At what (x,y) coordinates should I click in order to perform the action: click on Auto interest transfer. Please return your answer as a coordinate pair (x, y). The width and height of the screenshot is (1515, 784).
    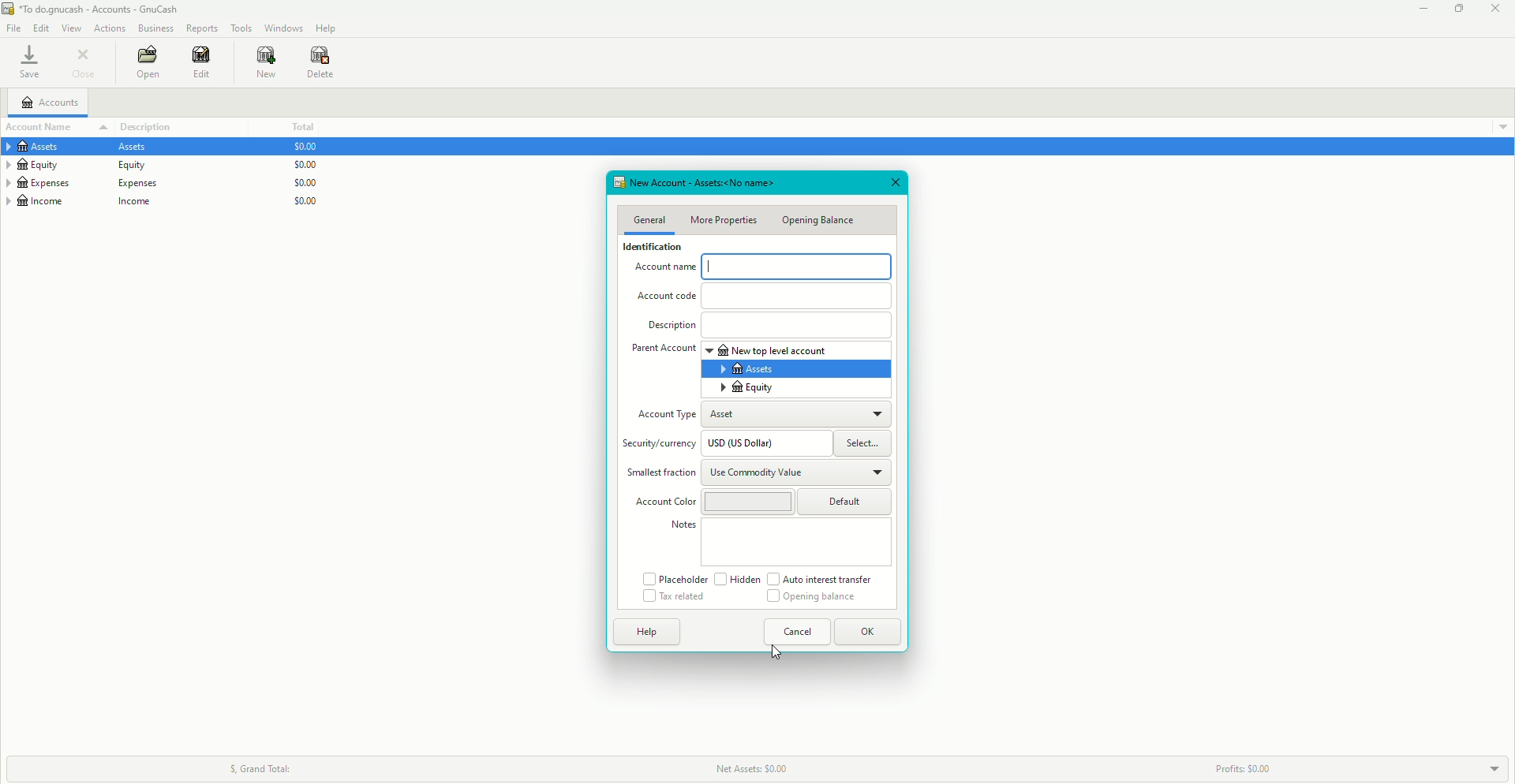
    Looking at the image, I should click on (823, 579).